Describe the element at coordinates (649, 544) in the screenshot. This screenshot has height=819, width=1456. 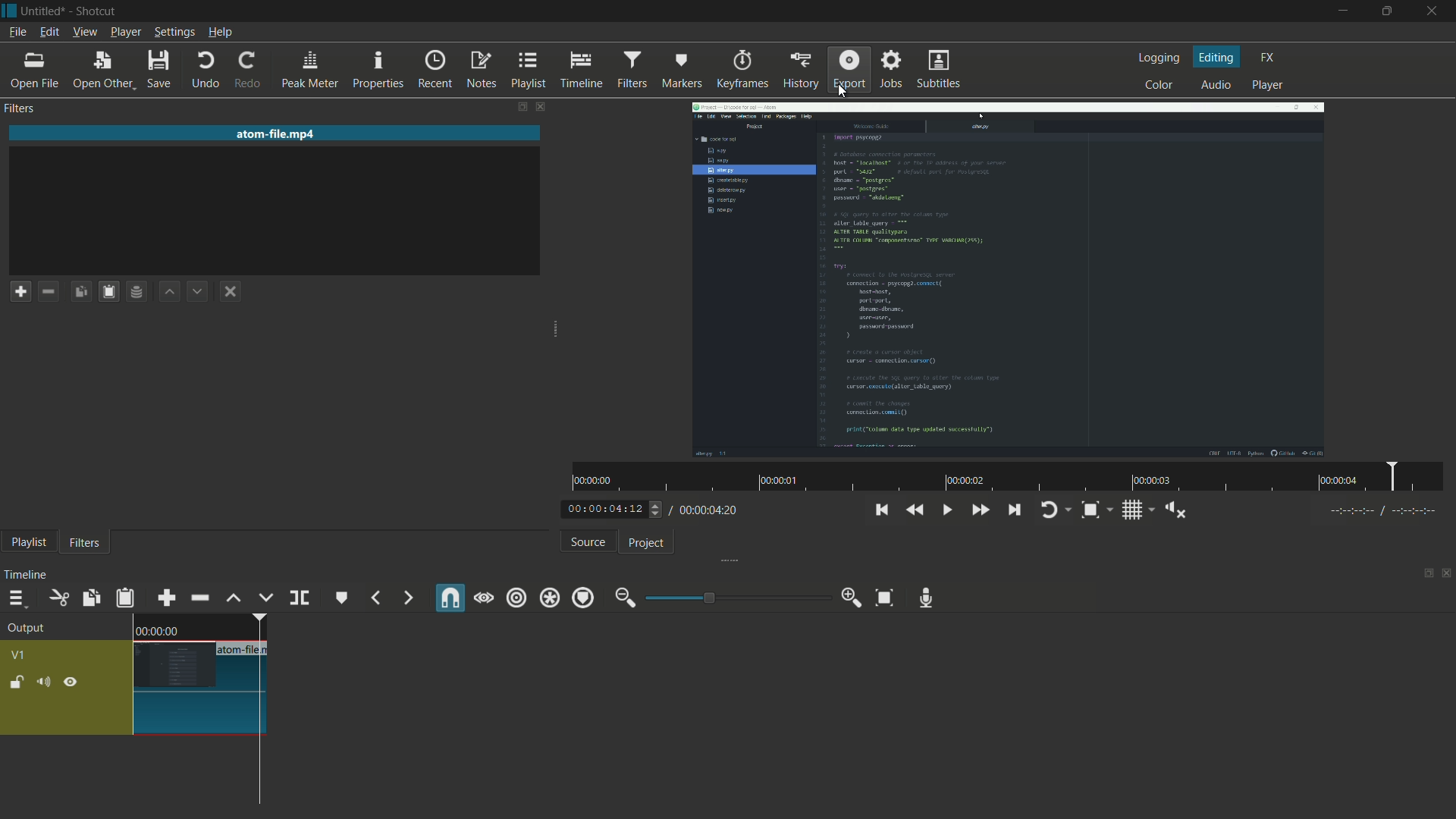
I see `project` at that location.